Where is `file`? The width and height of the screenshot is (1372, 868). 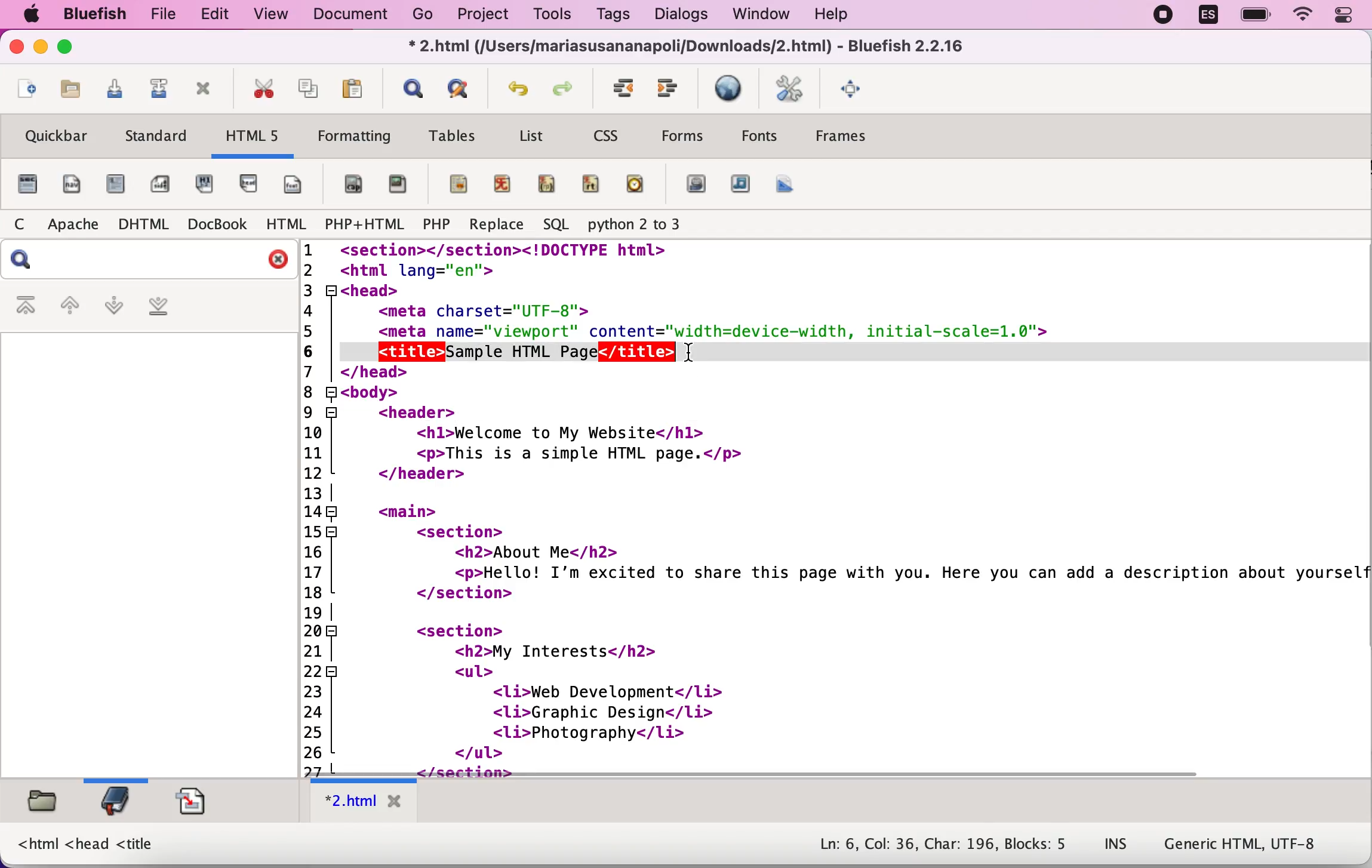 file is located at coordinates (167, 15).